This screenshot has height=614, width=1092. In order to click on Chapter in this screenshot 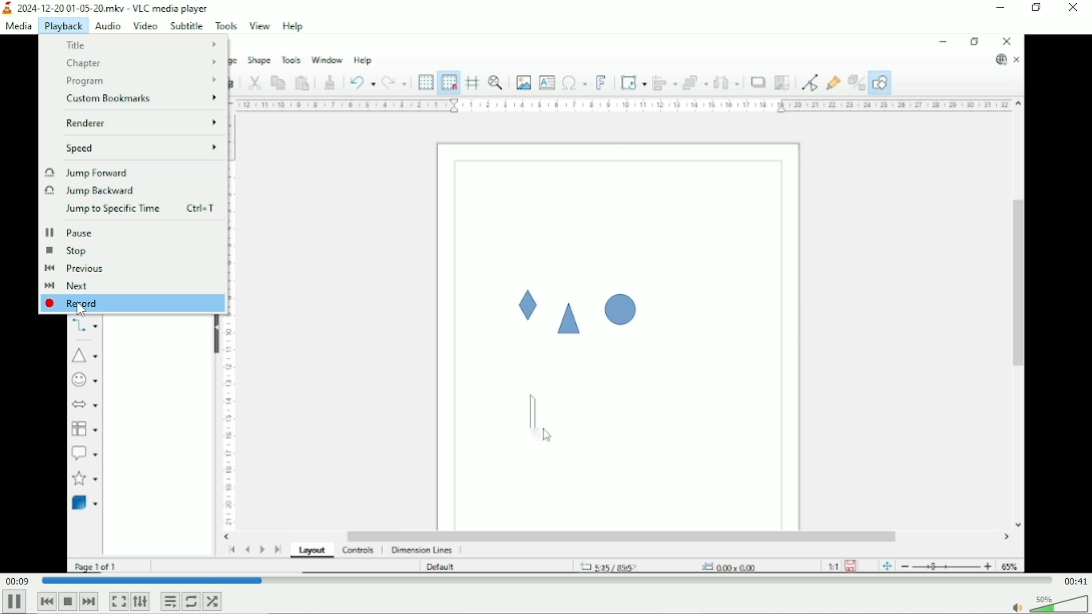, I will do `click(141, 62)`.